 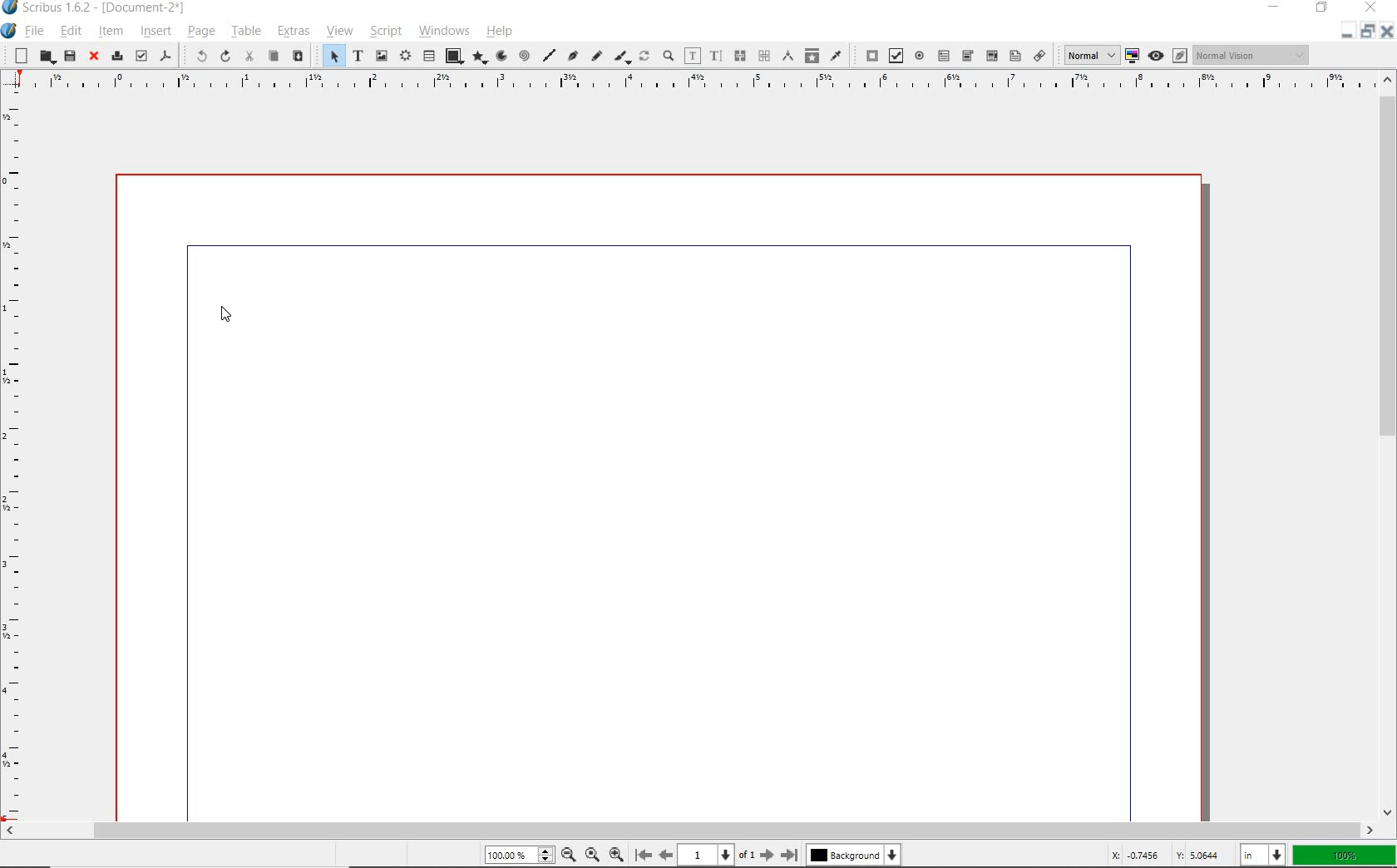 I want to click on save, so click(x=70, y=56).